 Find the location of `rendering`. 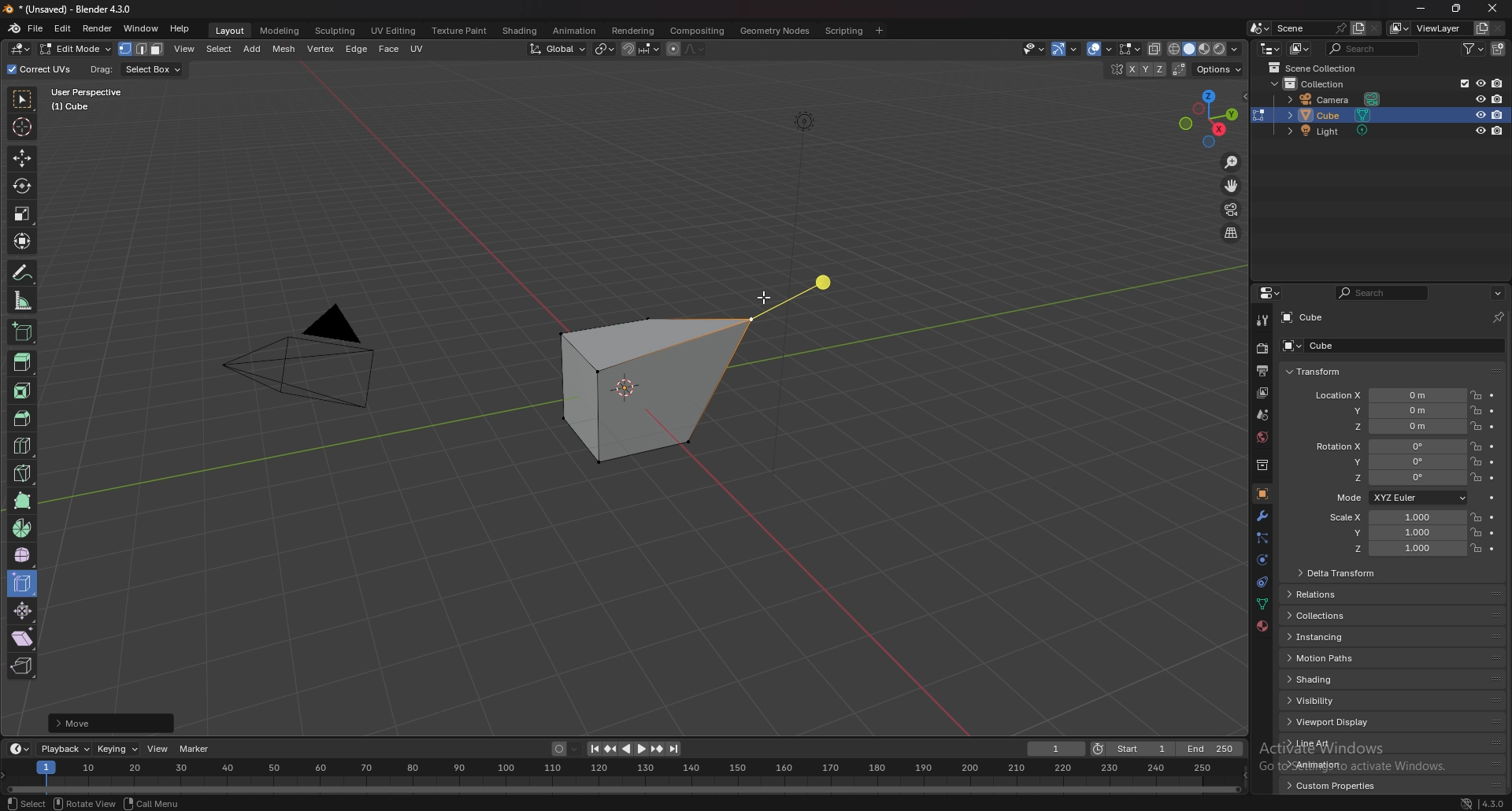

rendering is located at coordinates (634, 31).